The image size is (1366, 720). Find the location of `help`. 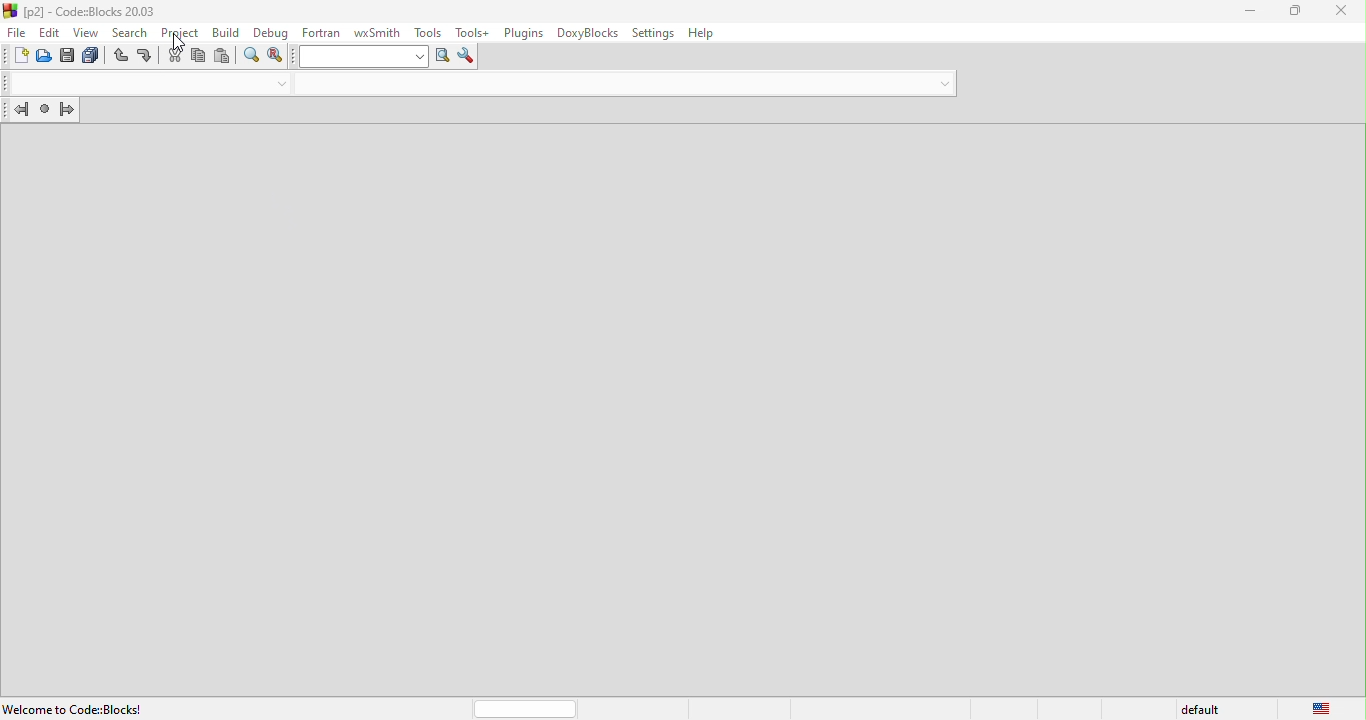

help is located at coordinates (707, 33).